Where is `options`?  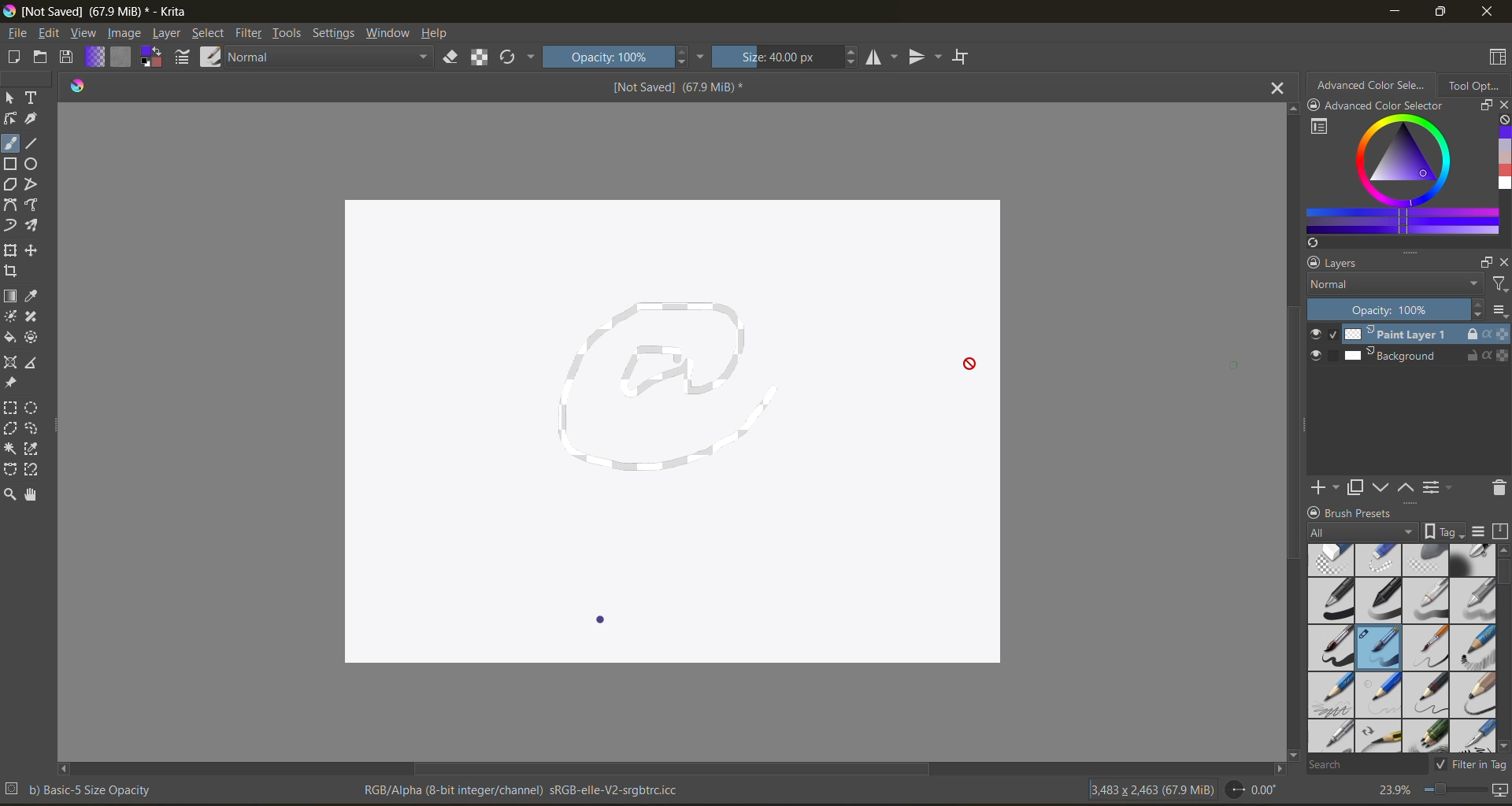
options is located at coordinates (1499, 309).